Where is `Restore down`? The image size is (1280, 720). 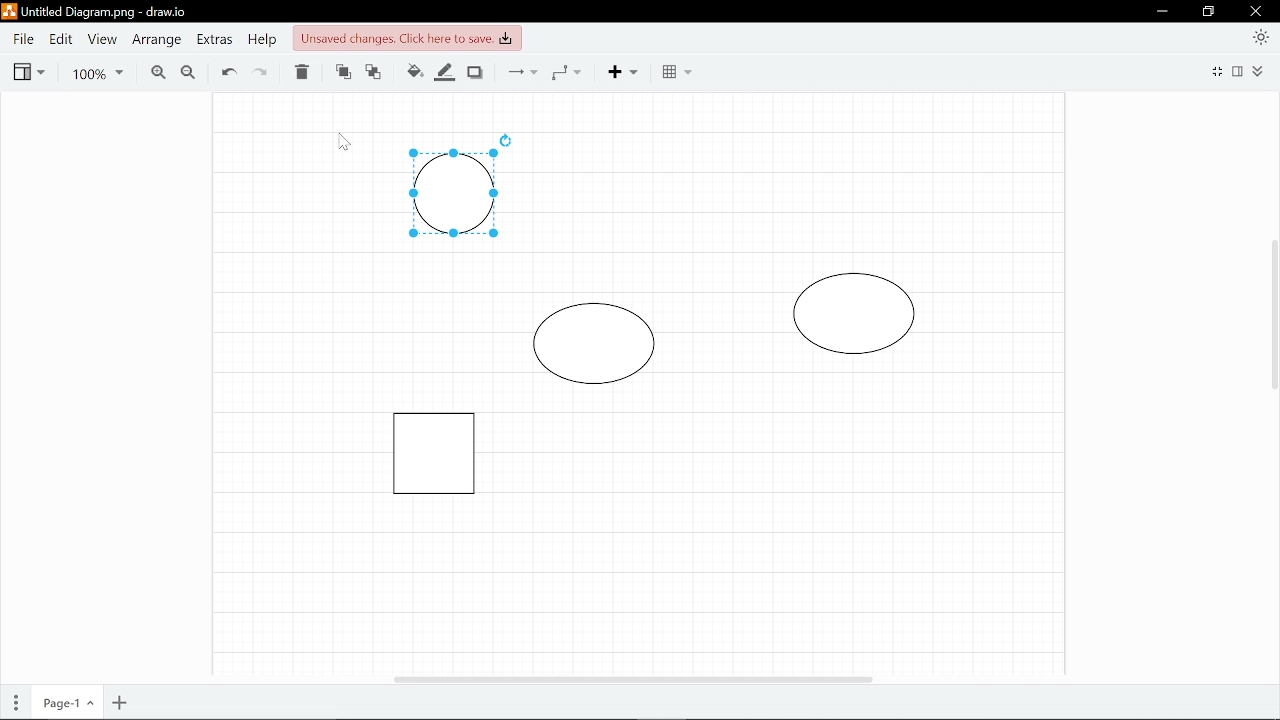
Restore down is located at coordinates (1209, 12).